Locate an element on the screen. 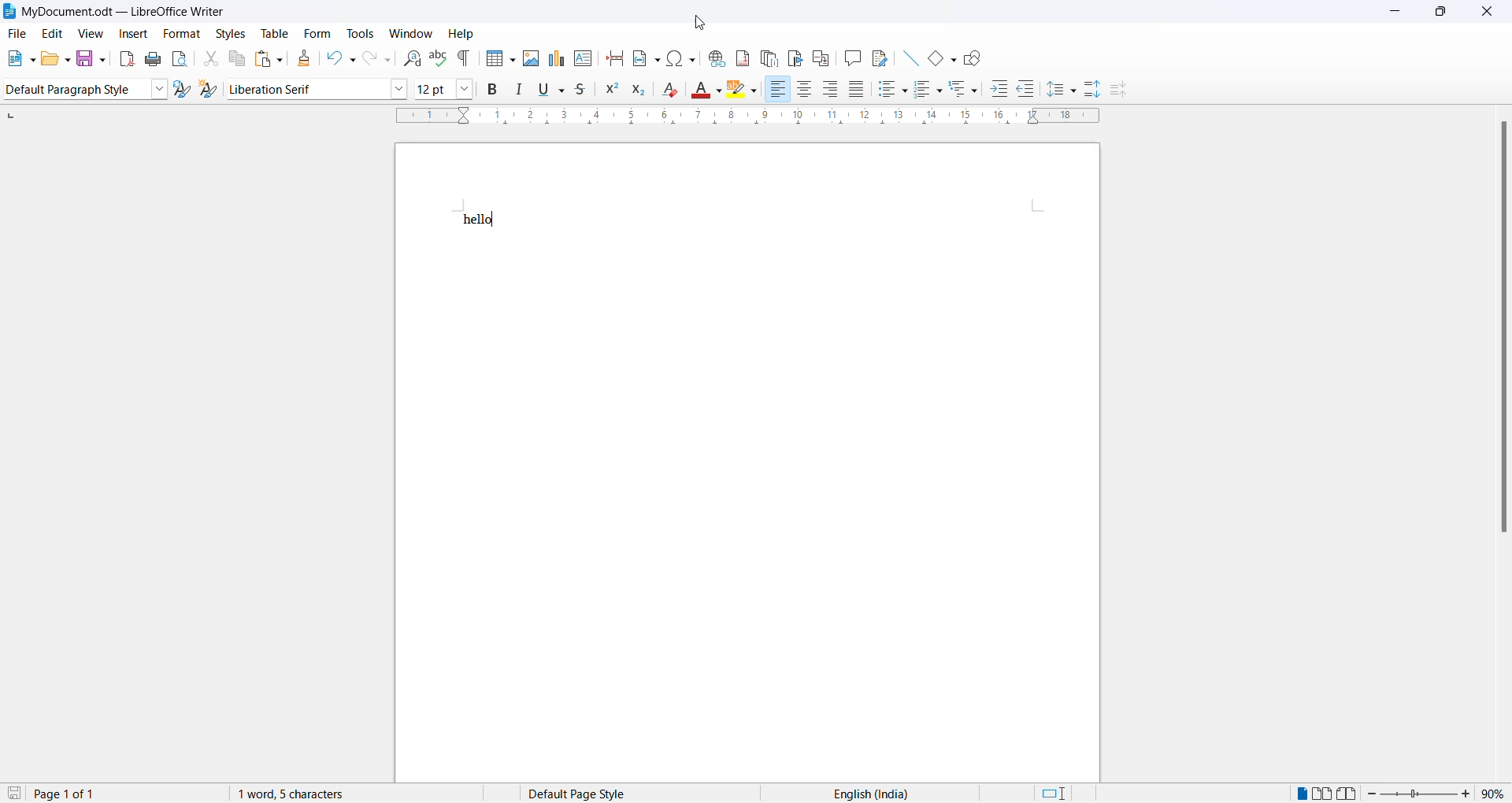 This screenshot has width=1512, height=803. Justify is located at coordinates (856, 91).